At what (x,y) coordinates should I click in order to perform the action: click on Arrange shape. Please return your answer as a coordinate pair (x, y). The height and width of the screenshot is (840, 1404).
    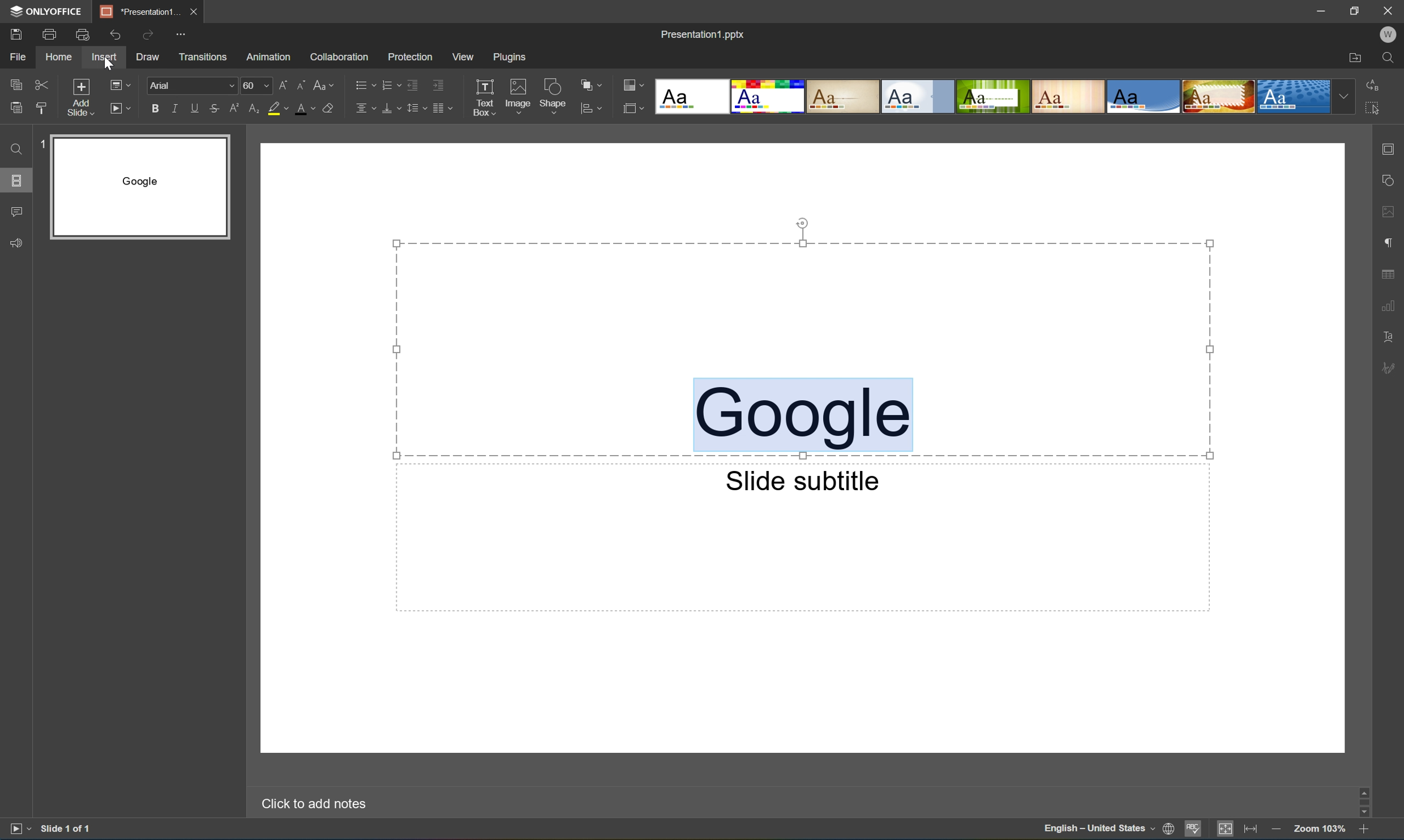
    Looking at the image, I should click on (593, 82).